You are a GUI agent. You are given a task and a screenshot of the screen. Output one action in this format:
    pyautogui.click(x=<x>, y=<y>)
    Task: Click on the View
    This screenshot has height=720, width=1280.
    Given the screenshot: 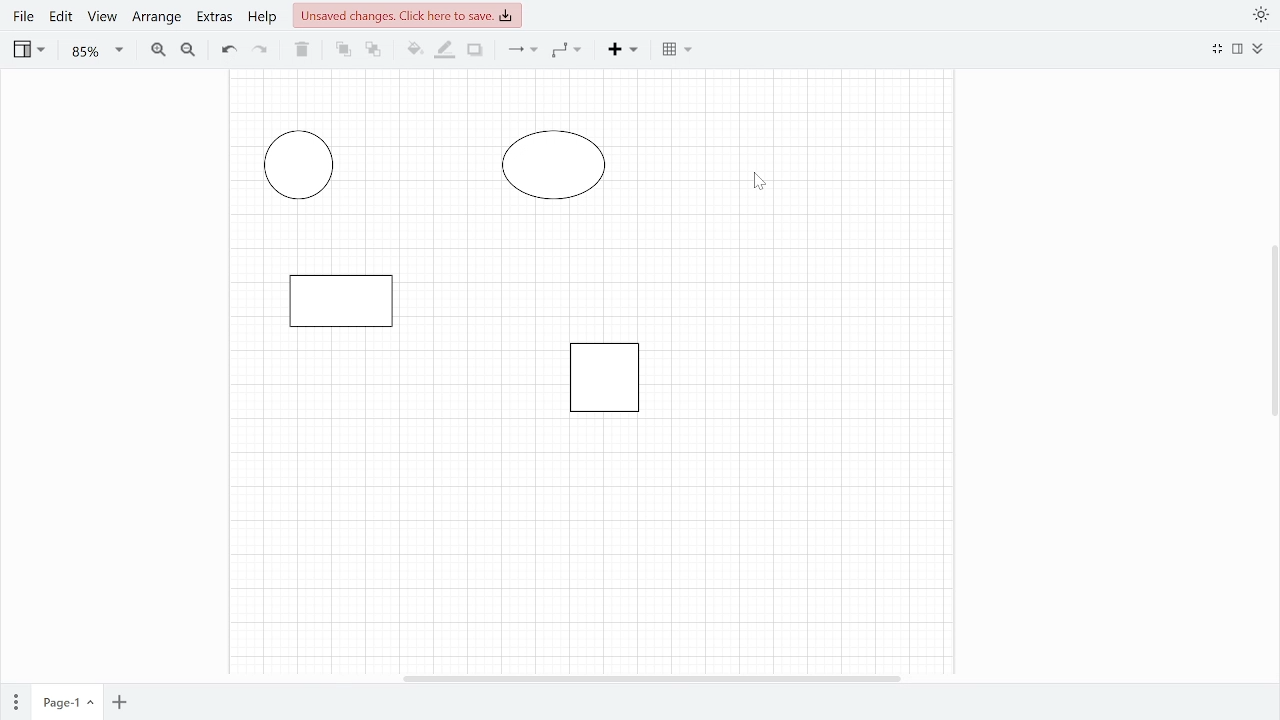 What is the action you would take?
    pyautogui.click(x=103, y=20)
    